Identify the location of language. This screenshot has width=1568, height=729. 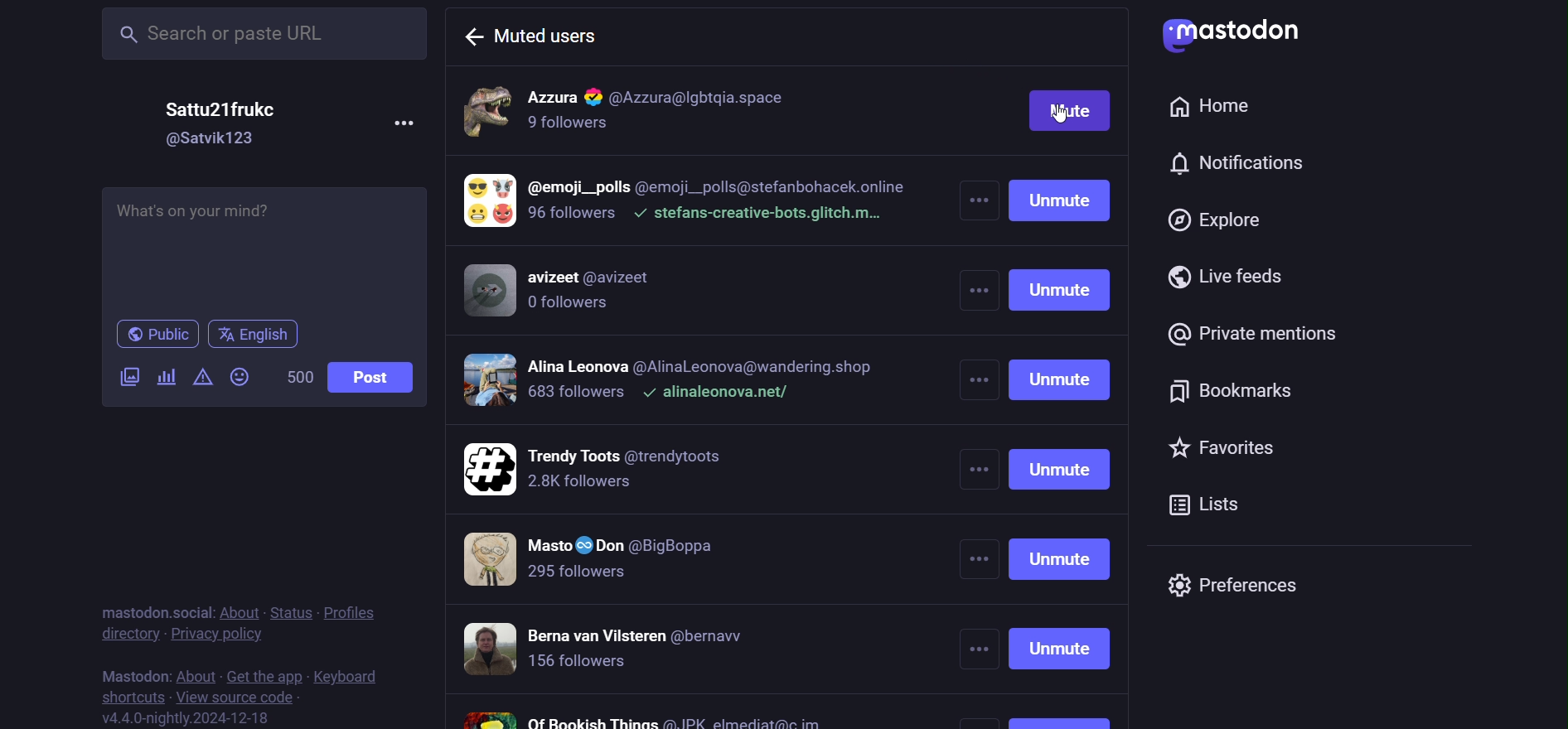
(259, 332).